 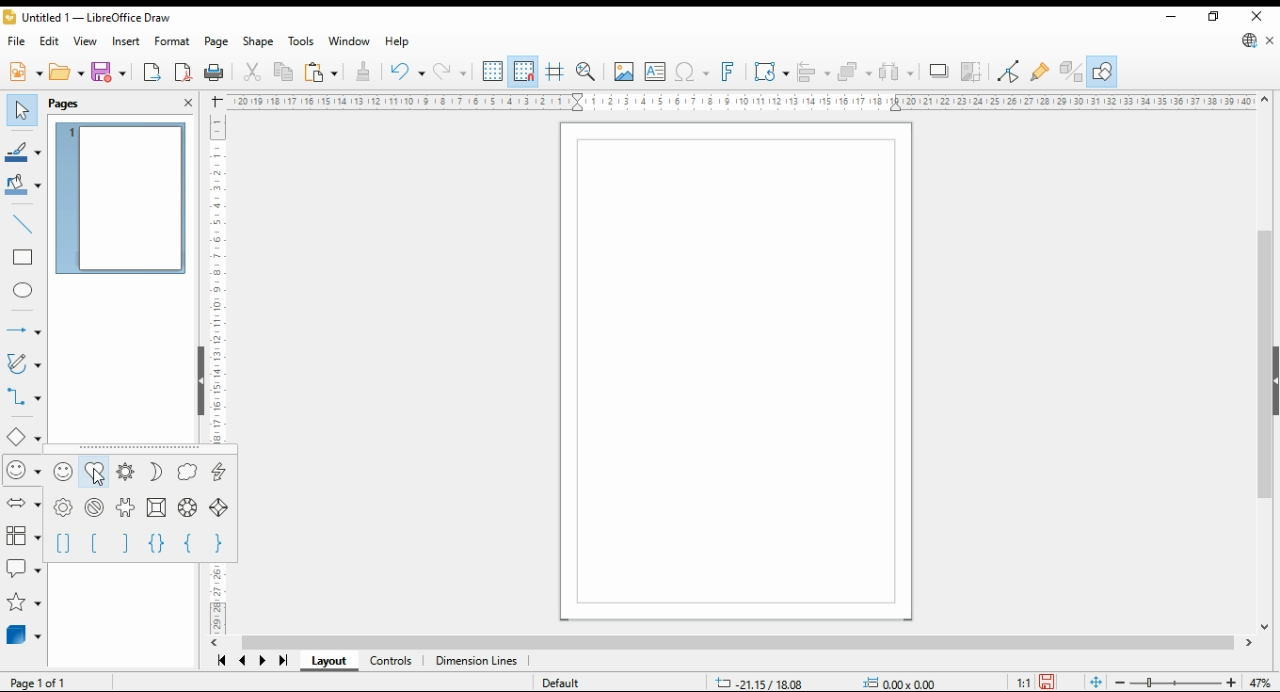 What do you see at coordinates (252, 72) in the screenshot?
I see `cut` at bounding box center [252, 72].